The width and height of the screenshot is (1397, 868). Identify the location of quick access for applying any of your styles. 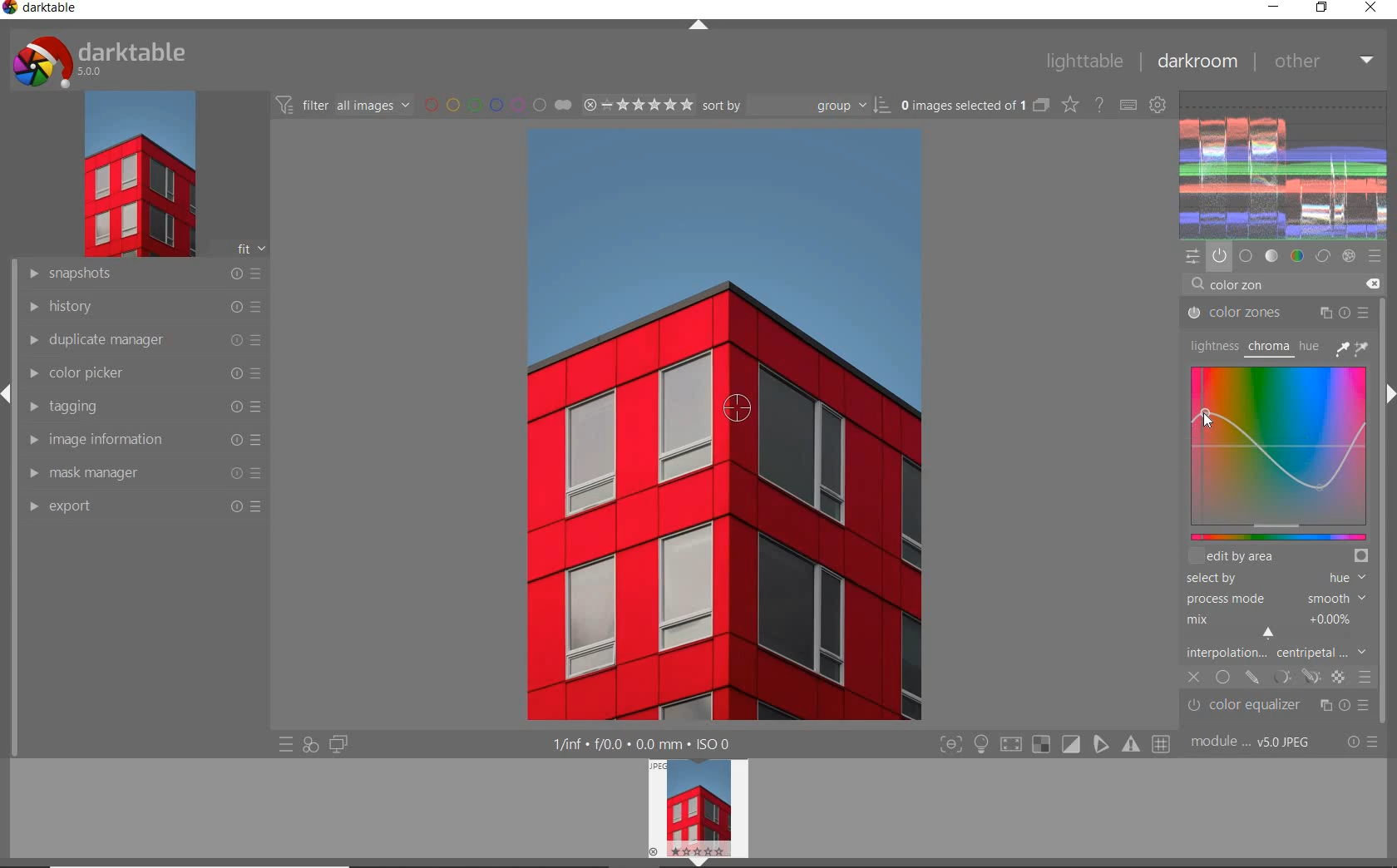
(311, 744).